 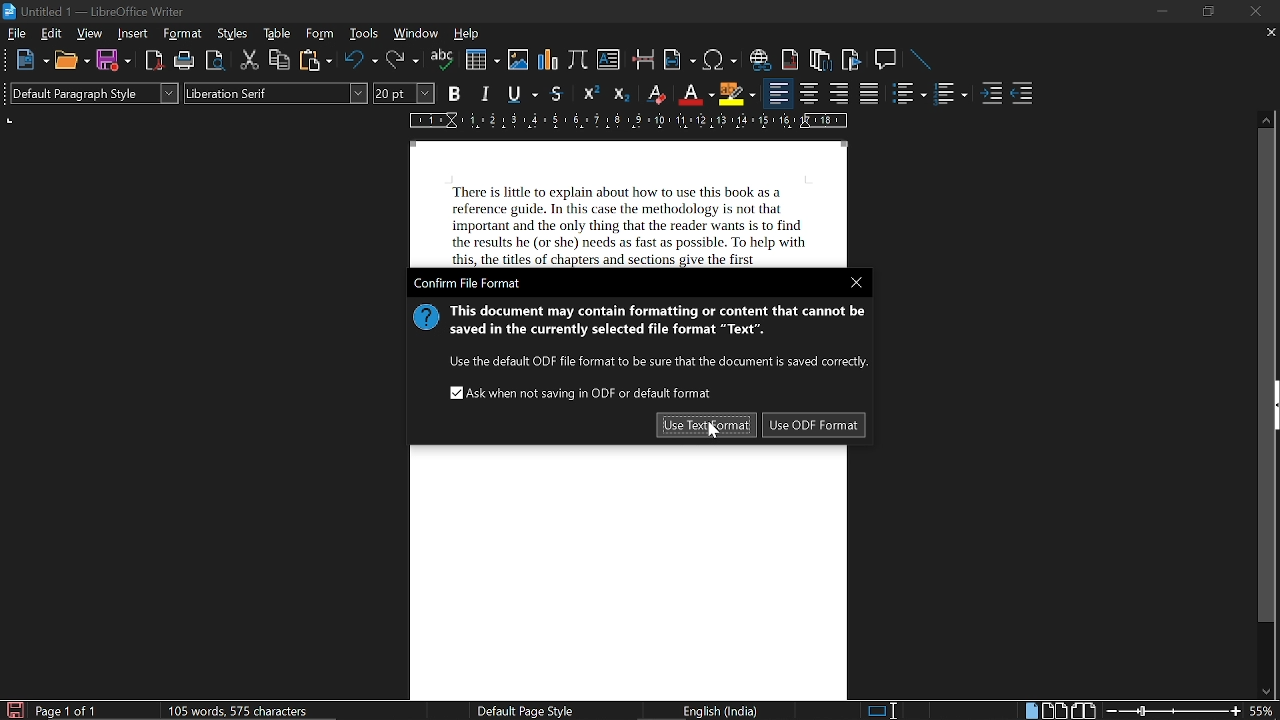 What do you see at coordinates (97, 13) in the screenshot?
I see `current window` at bounding box center [97, 13].